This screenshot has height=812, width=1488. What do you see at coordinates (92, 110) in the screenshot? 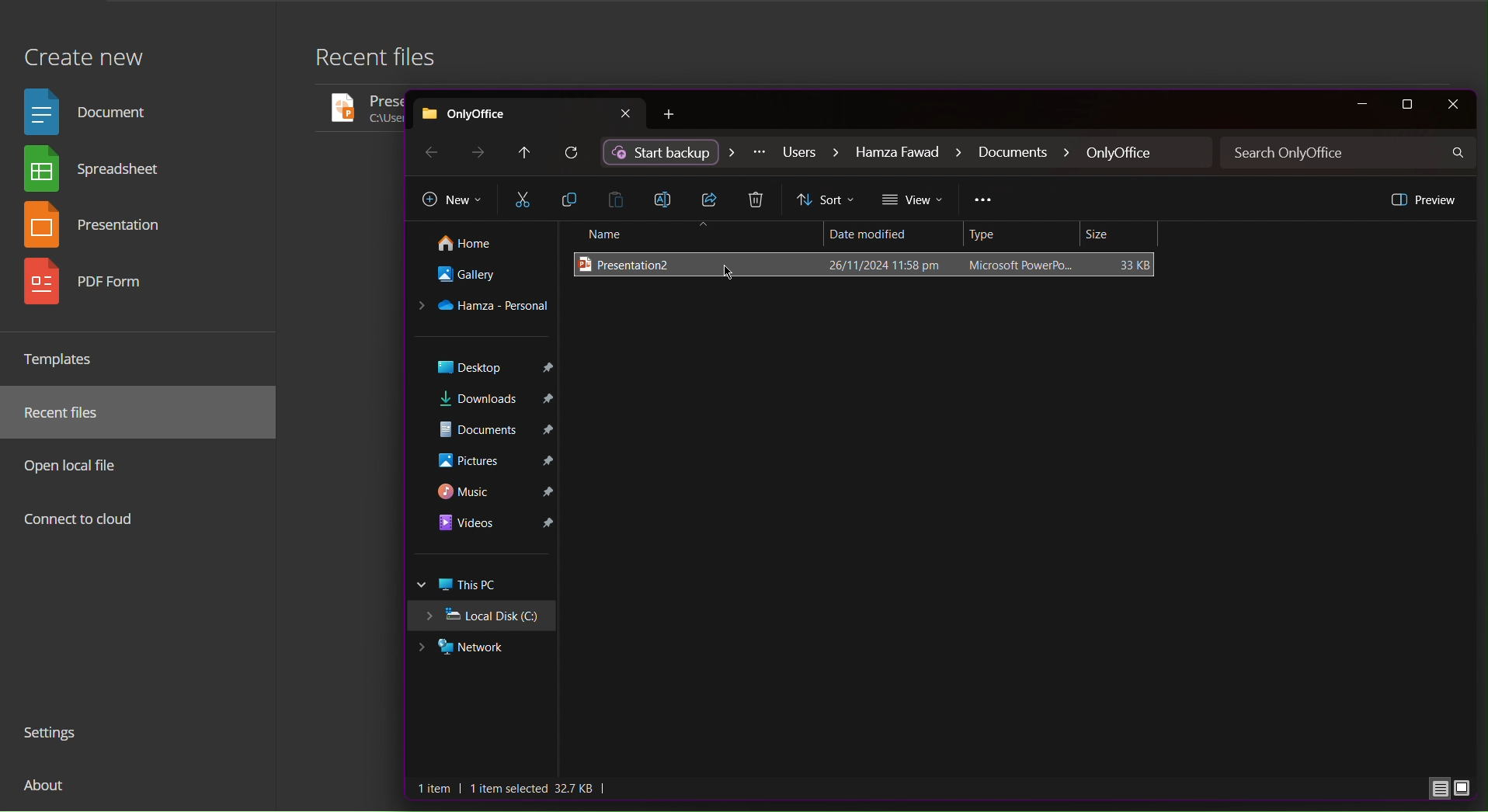
I see `Document` at bounding box center [92, 110].